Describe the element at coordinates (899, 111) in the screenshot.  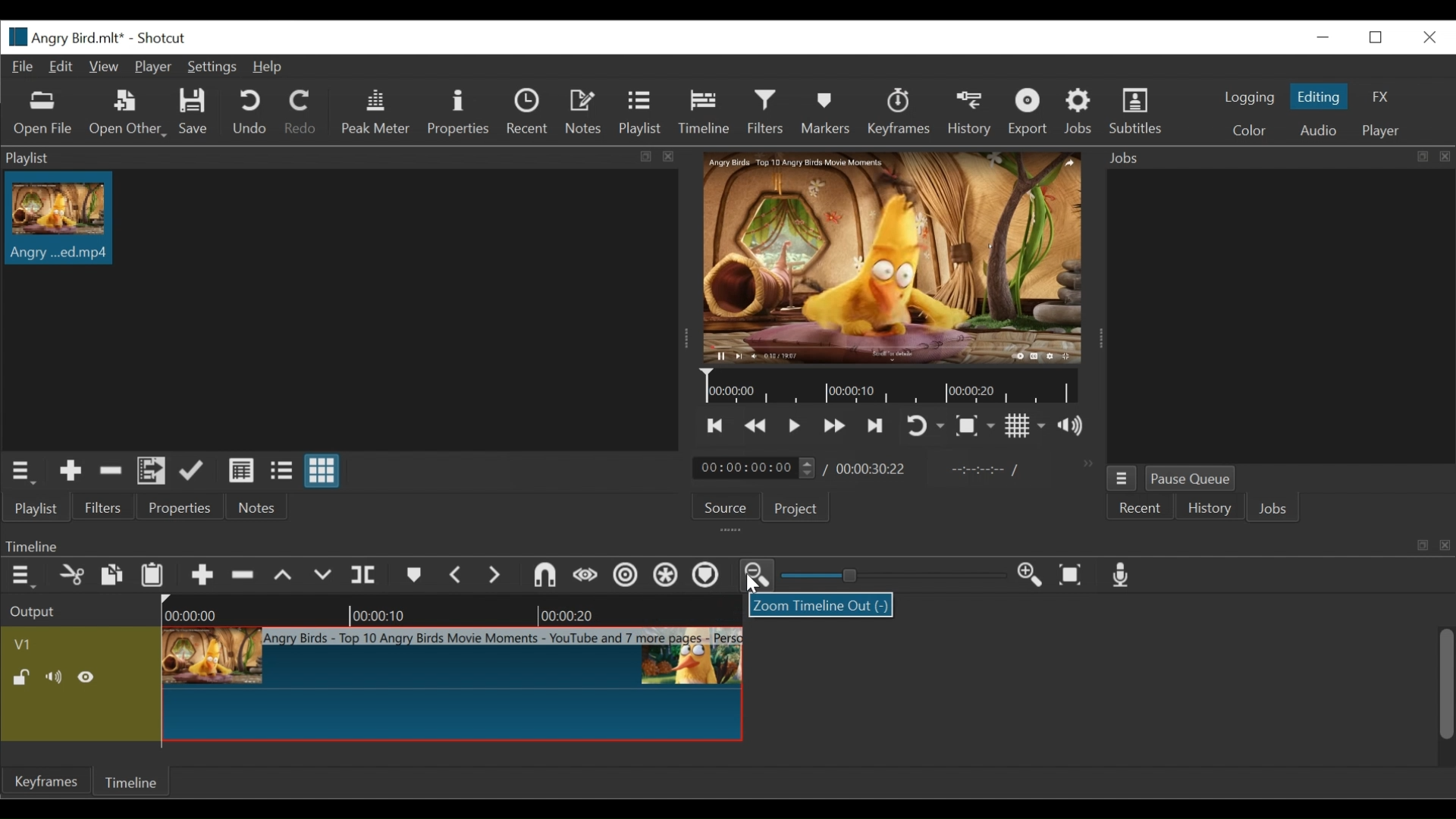
I see `Keyframes` at that location.